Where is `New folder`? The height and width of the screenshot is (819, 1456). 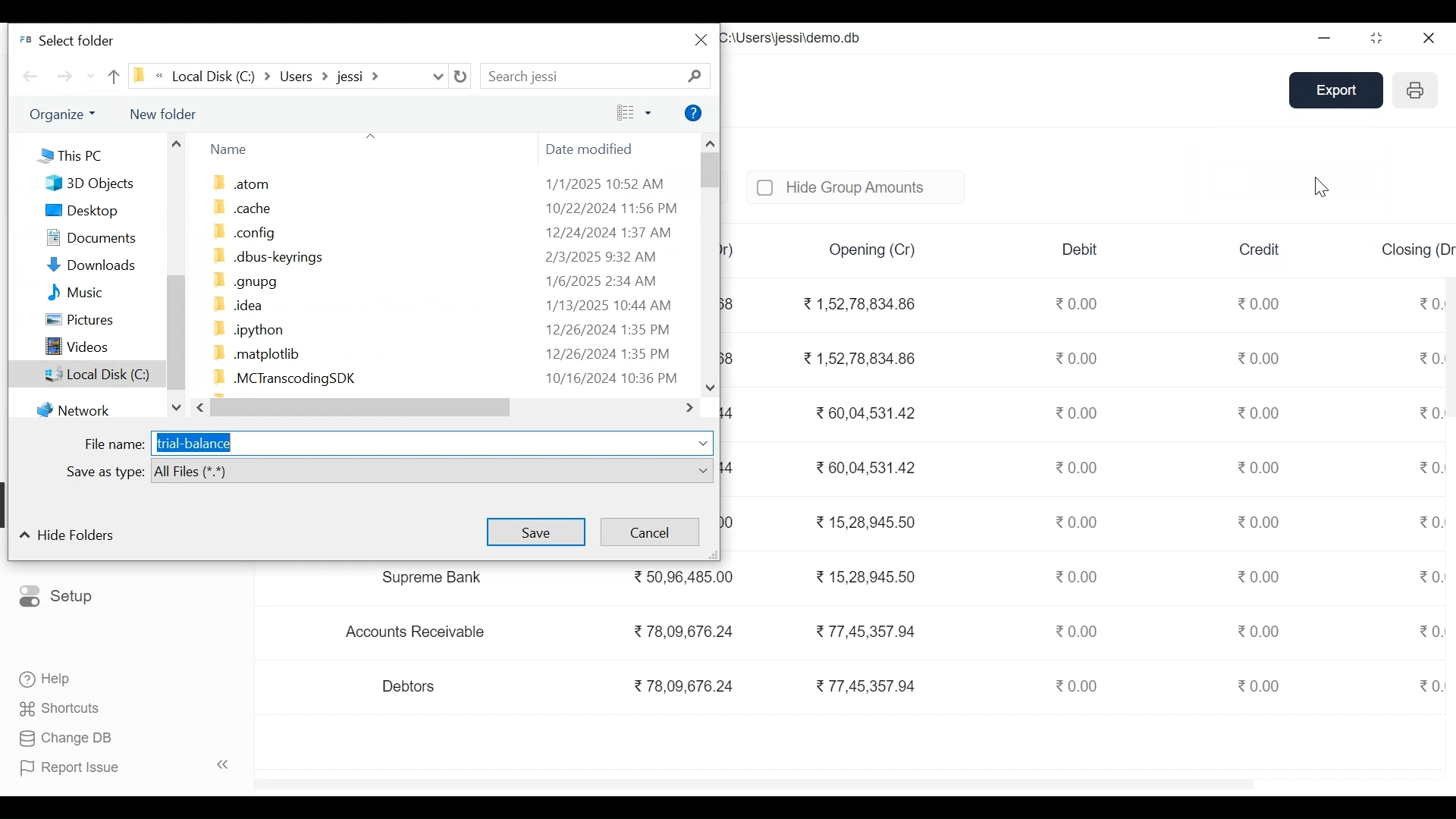
New folder is located at coordinates (160, 114).